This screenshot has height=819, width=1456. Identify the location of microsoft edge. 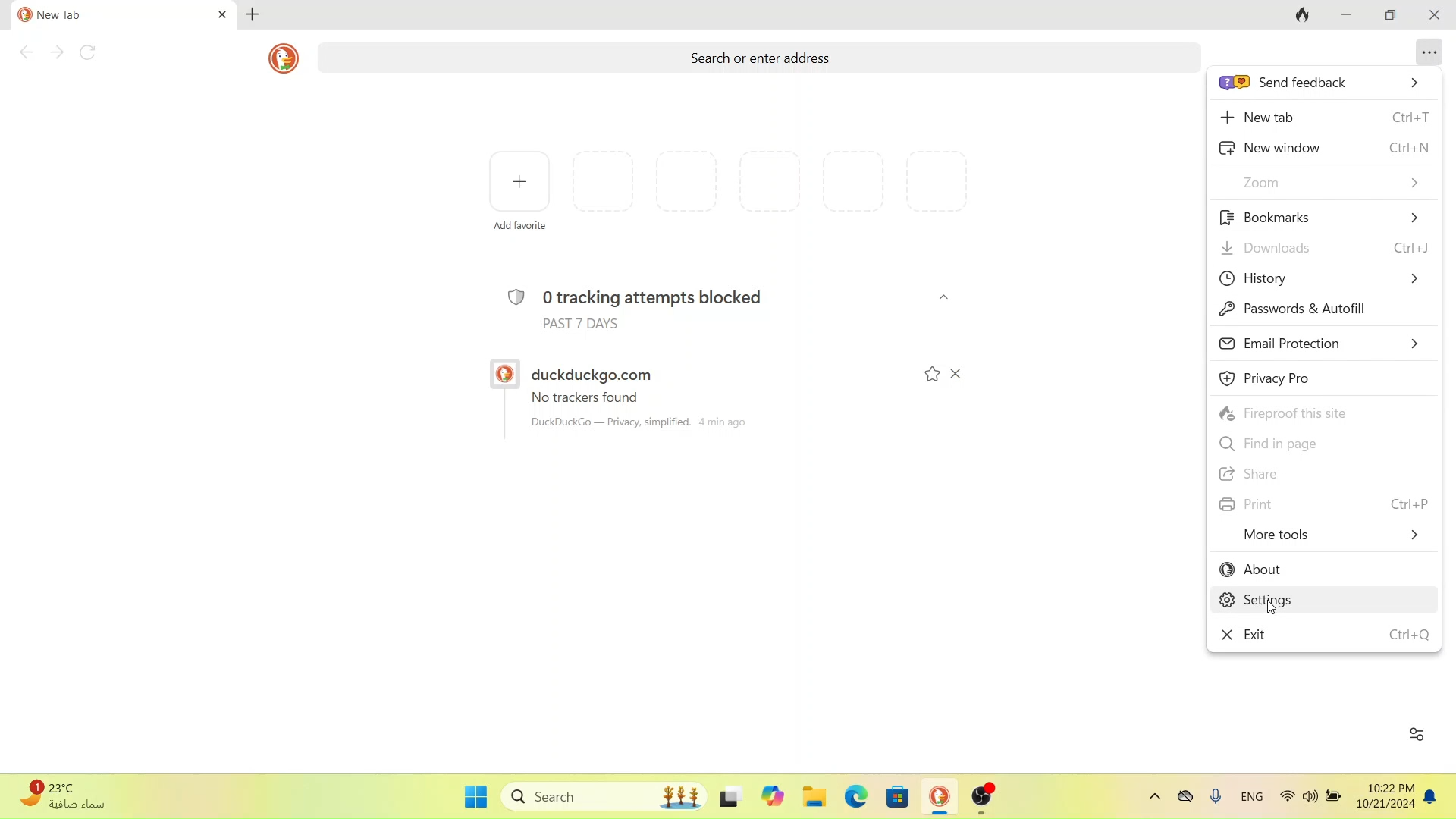
(856, 798).